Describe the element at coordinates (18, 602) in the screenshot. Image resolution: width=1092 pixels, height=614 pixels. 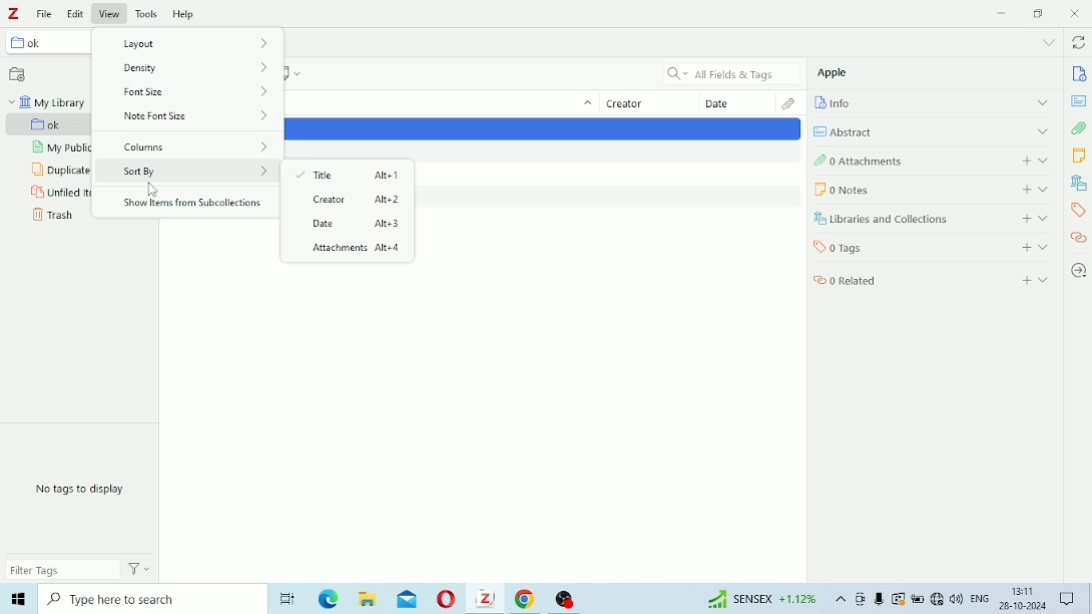
I see `Windows button` at that location.